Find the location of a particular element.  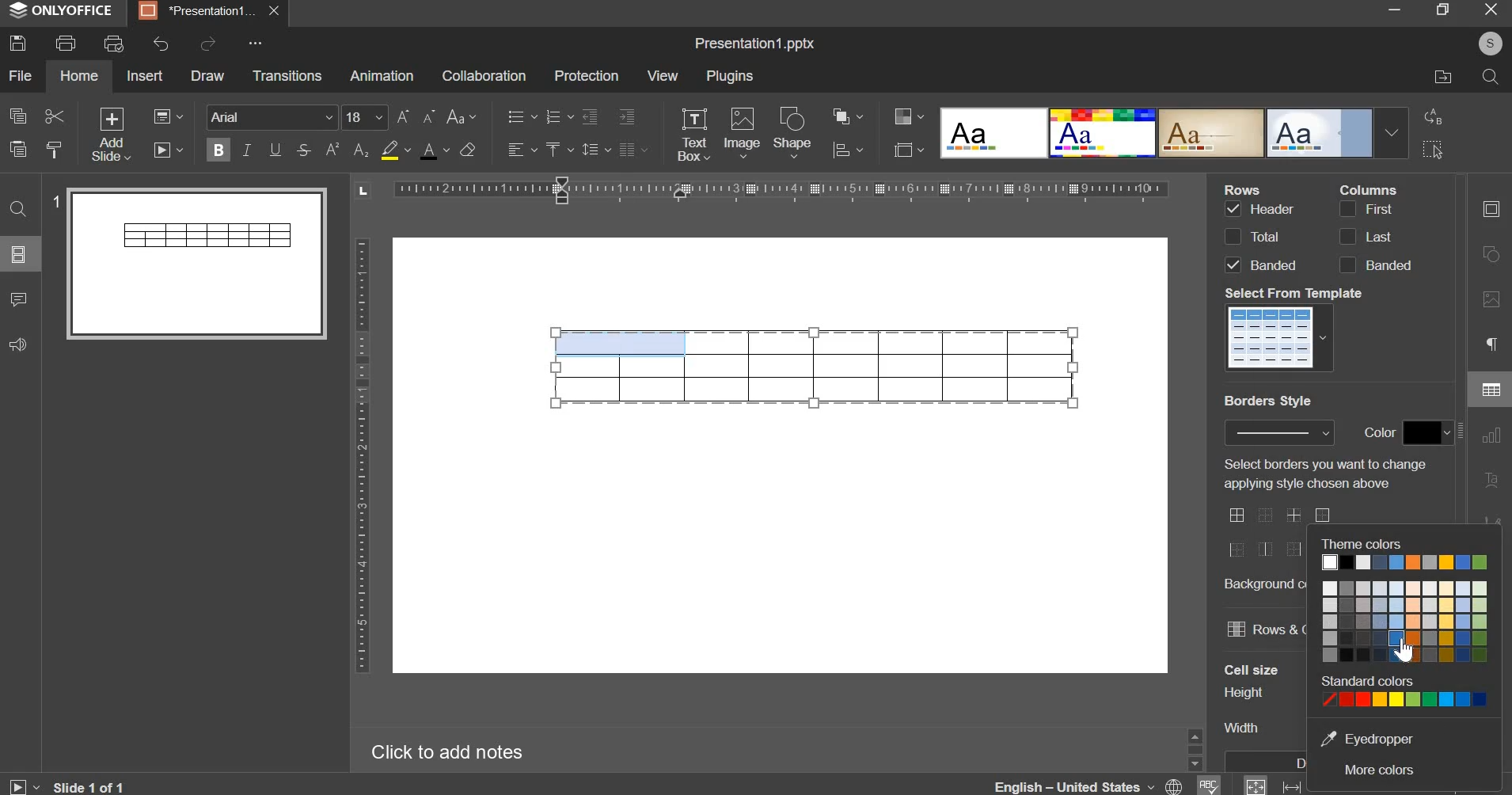

Cursor is located at coordinates (1404, 649).